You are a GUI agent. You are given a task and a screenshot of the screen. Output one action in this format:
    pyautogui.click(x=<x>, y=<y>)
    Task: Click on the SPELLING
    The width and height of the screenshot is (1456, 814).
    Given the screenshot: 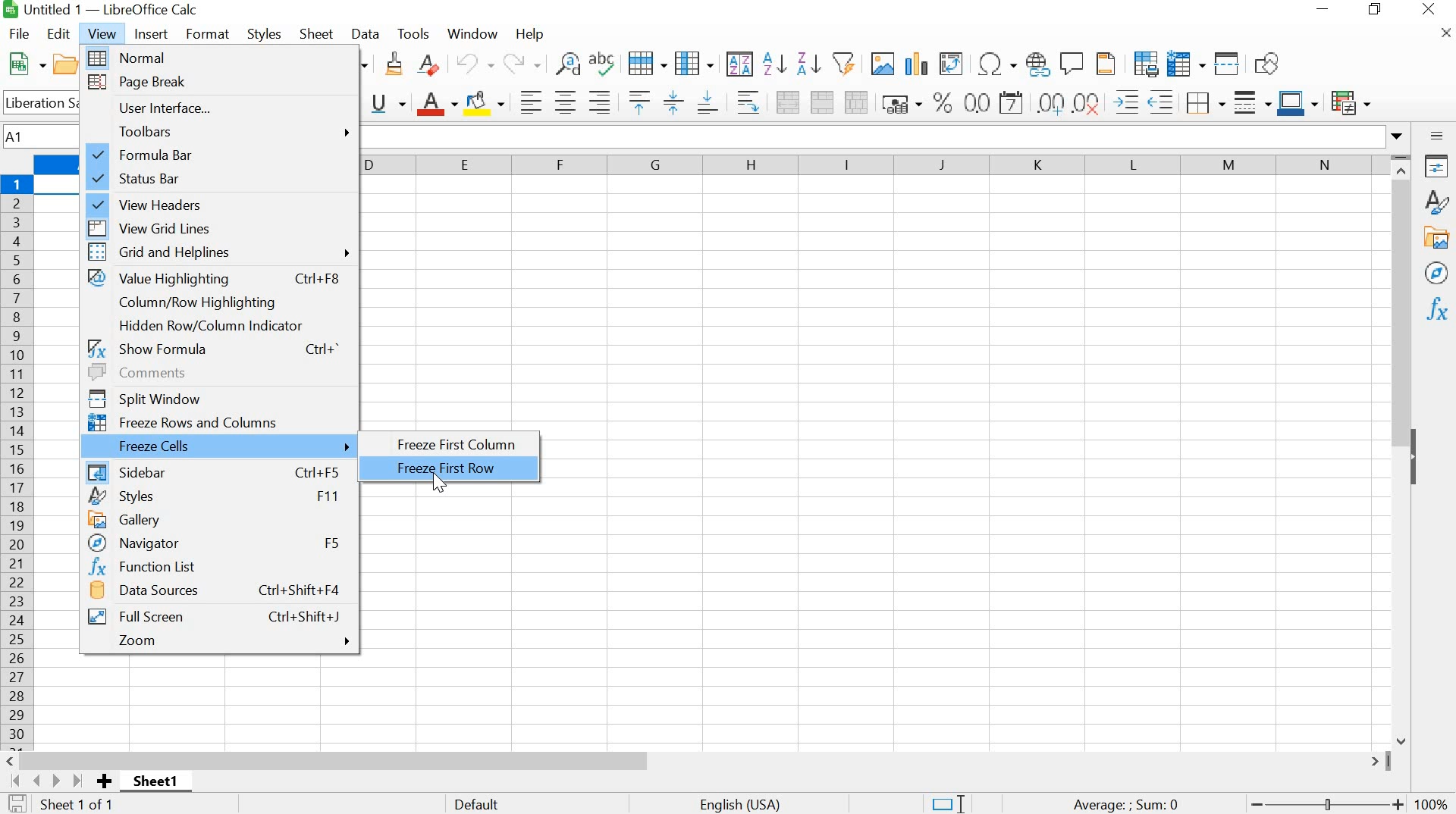 What is the action you would take?
    pyautogui.click(x=605, y=65)
    